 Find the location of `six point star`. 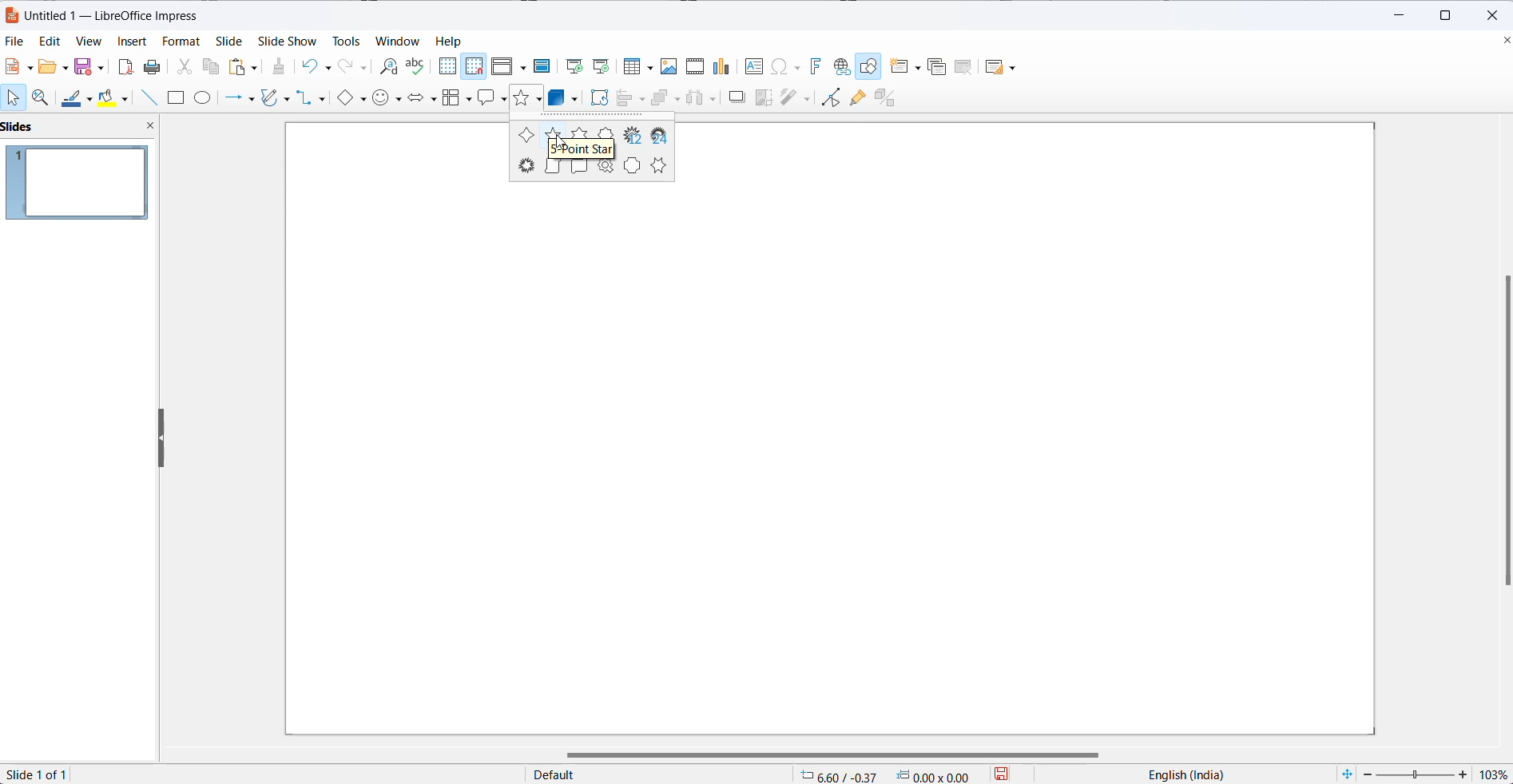

six point star is located at coordinates (583, 132).